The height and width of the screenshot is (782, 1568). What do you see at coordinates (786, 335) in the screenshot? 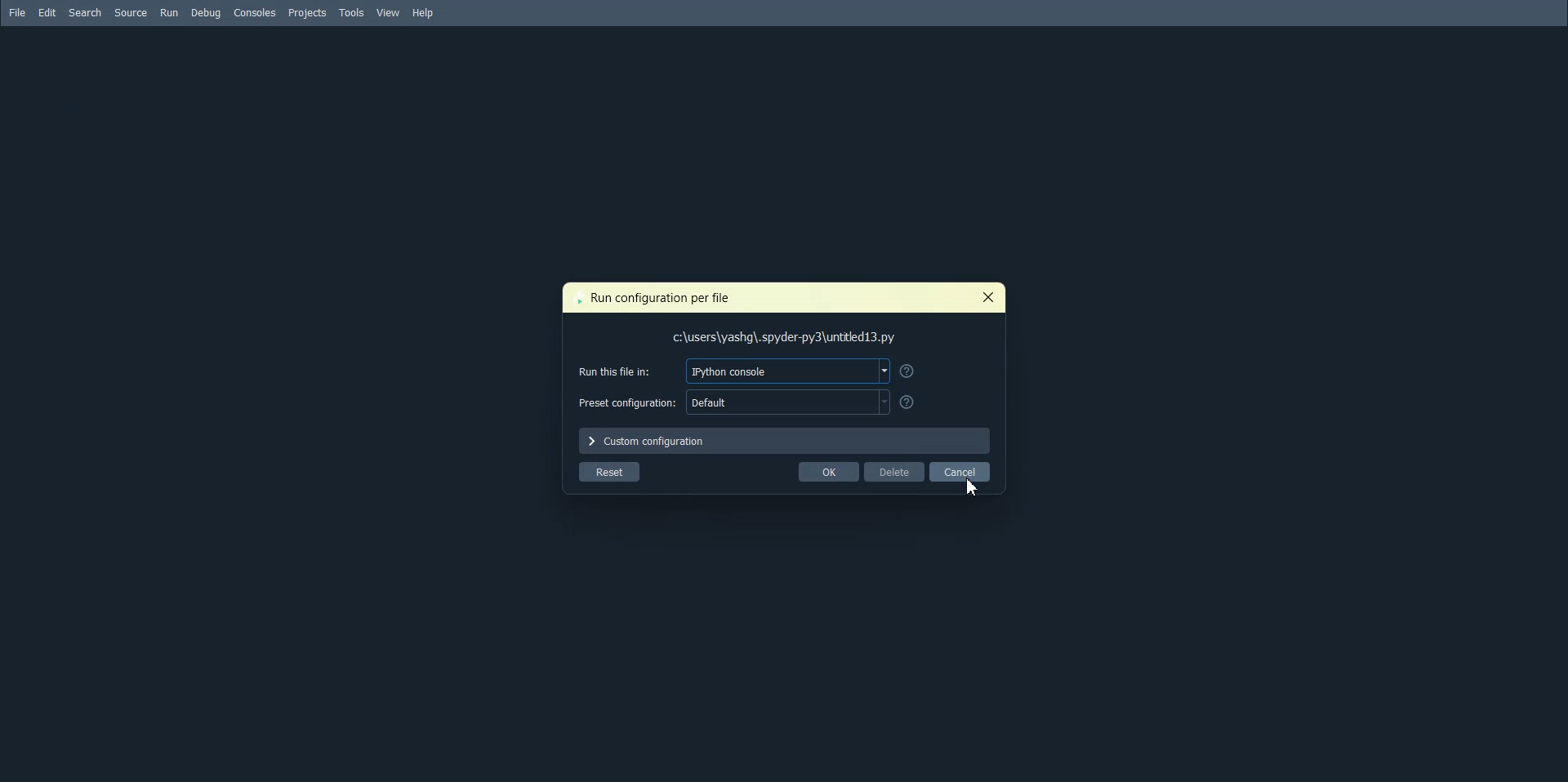
I see `File path address` at bounding box center [786, 335].